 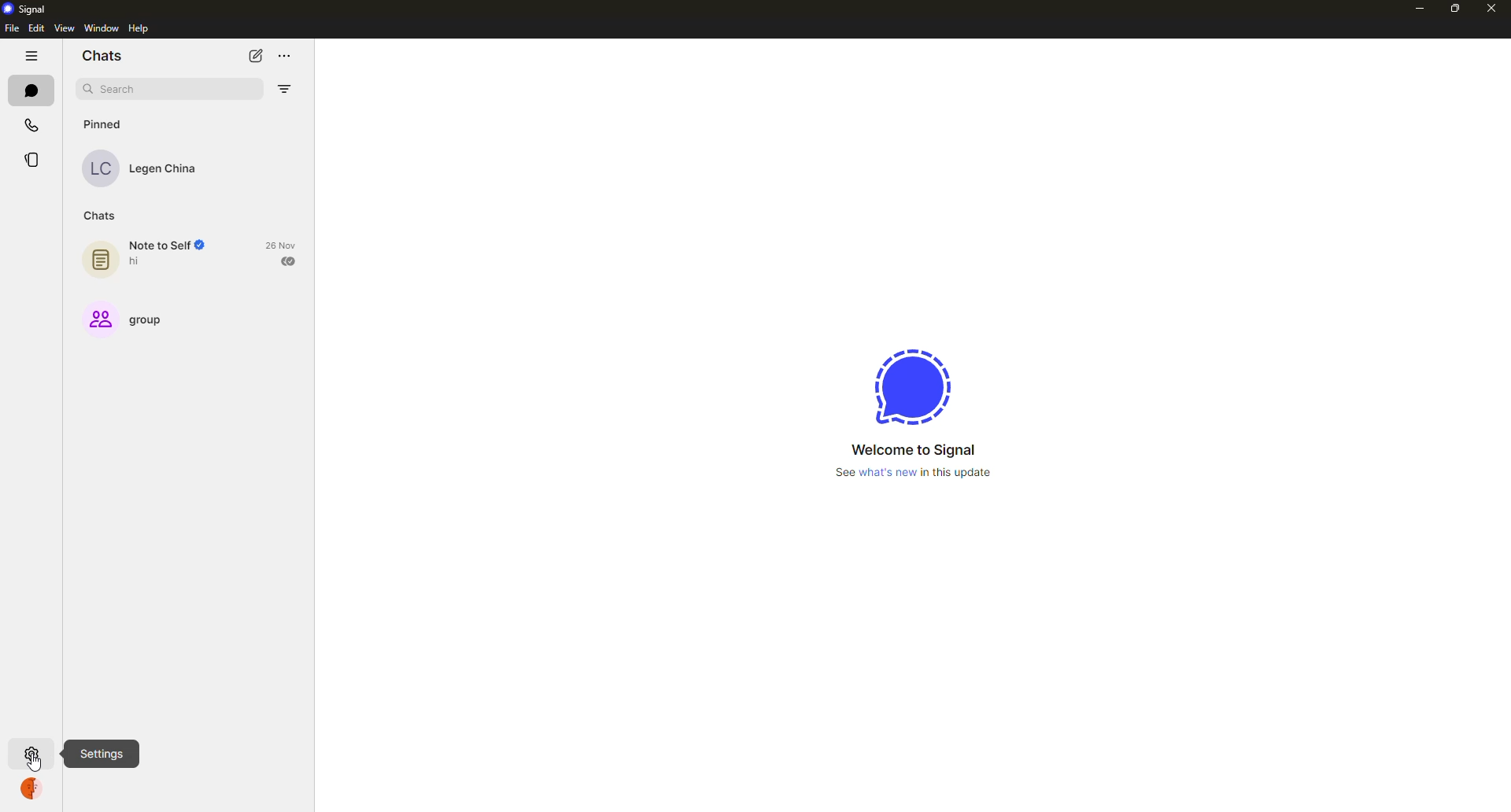 What do you see at coordinates (913, 449) in the screenshot?
I see `welcome` at bounding box center [913, 449].